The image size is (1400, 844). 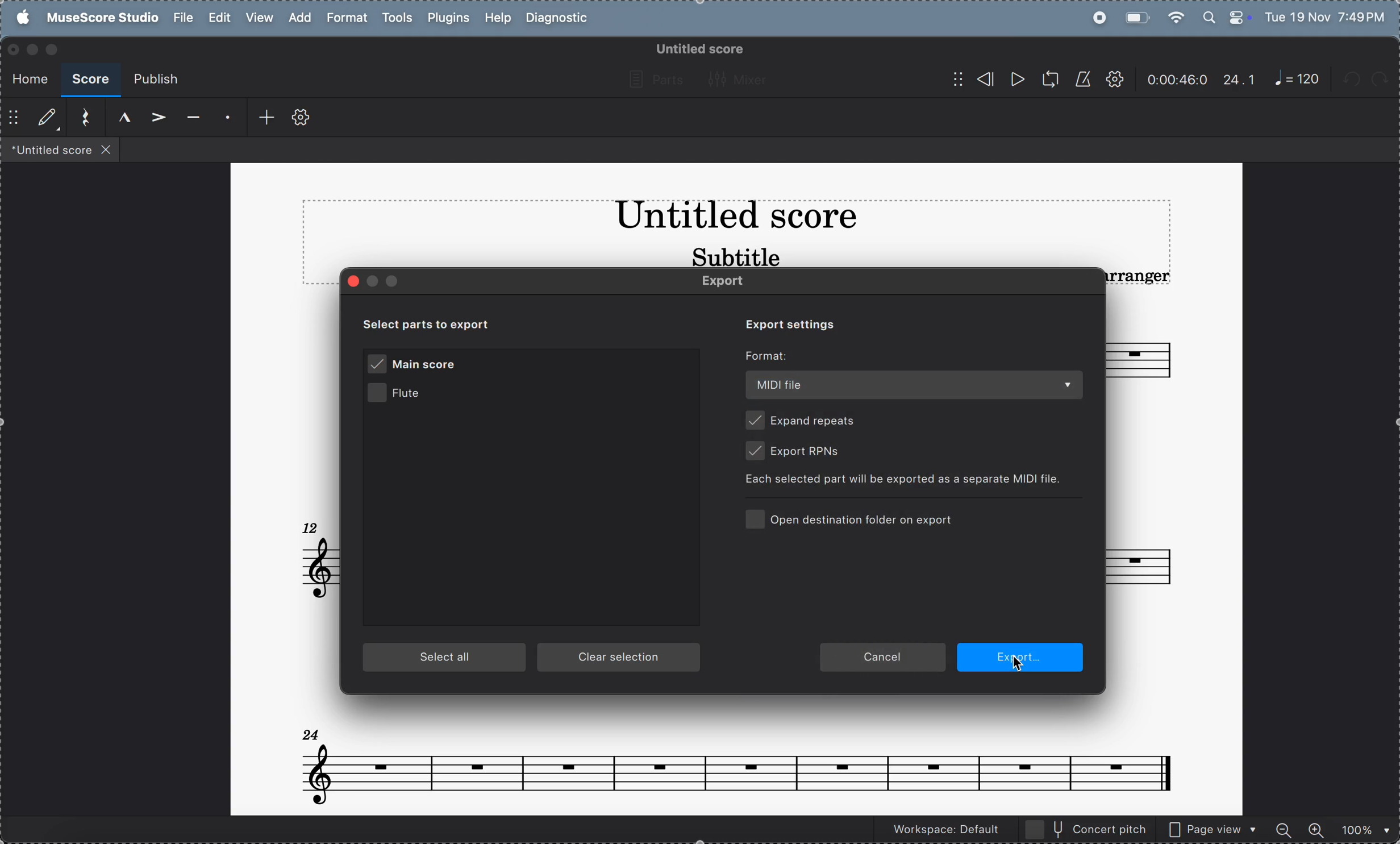 I want to click on concert pitch, so click(x=1087, y=829).